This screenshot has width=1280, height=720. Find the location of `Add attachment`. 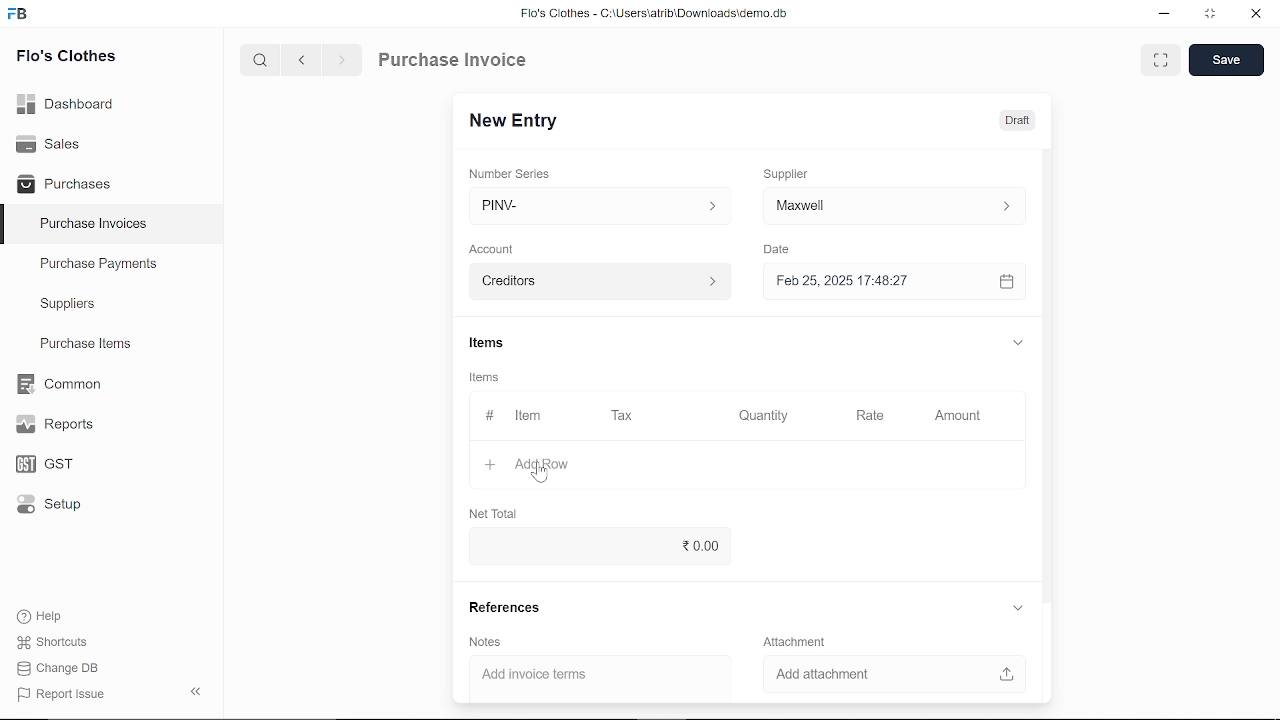

Add attachment is located at coordinates (887, 672).